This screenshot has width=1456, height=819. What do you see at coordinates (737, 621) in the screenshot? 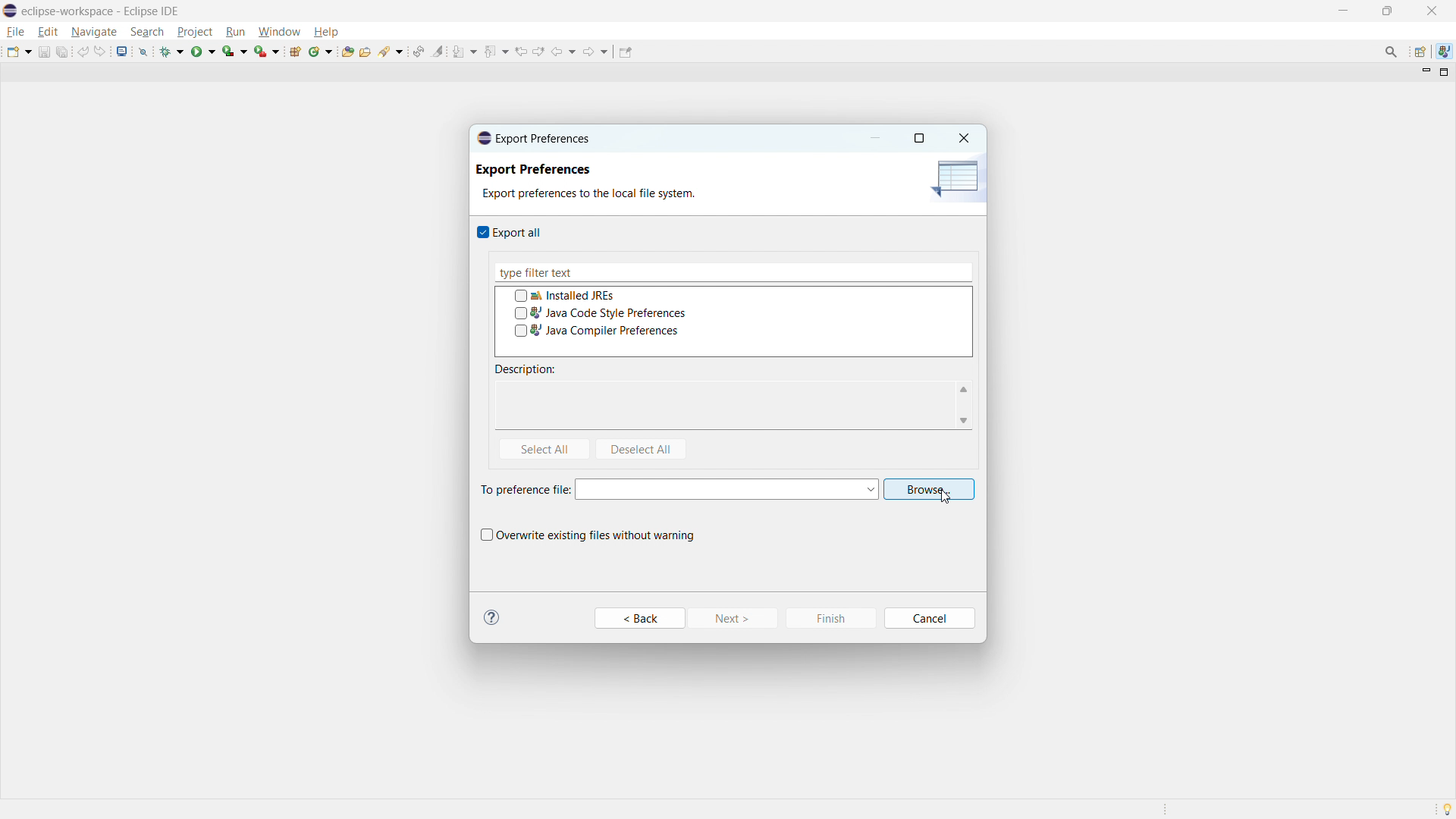
I see `Next` at bounding box center [737, 621].